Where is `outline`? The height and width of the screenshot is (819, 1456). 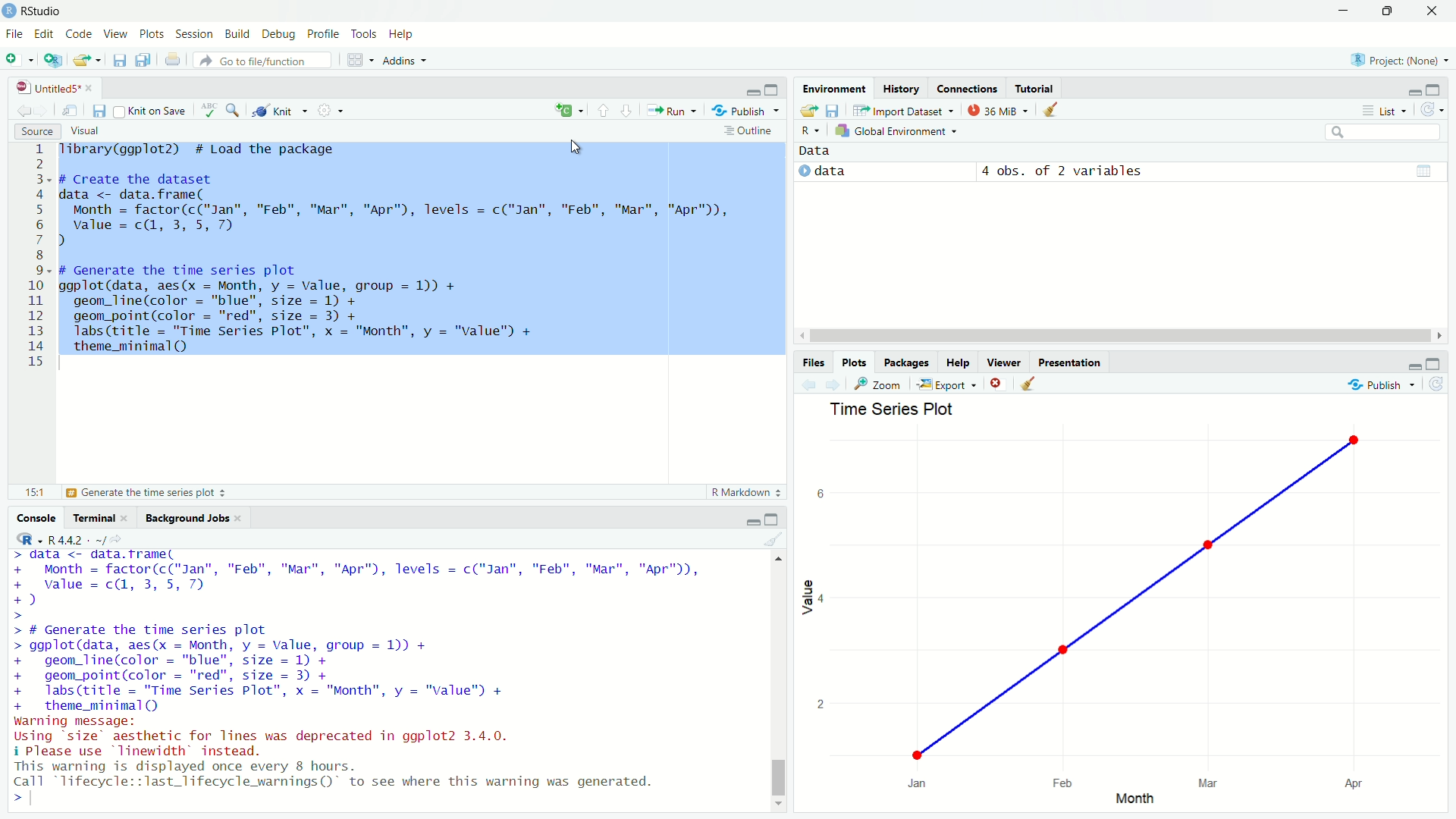
outline is located at coordinates (750, 130).